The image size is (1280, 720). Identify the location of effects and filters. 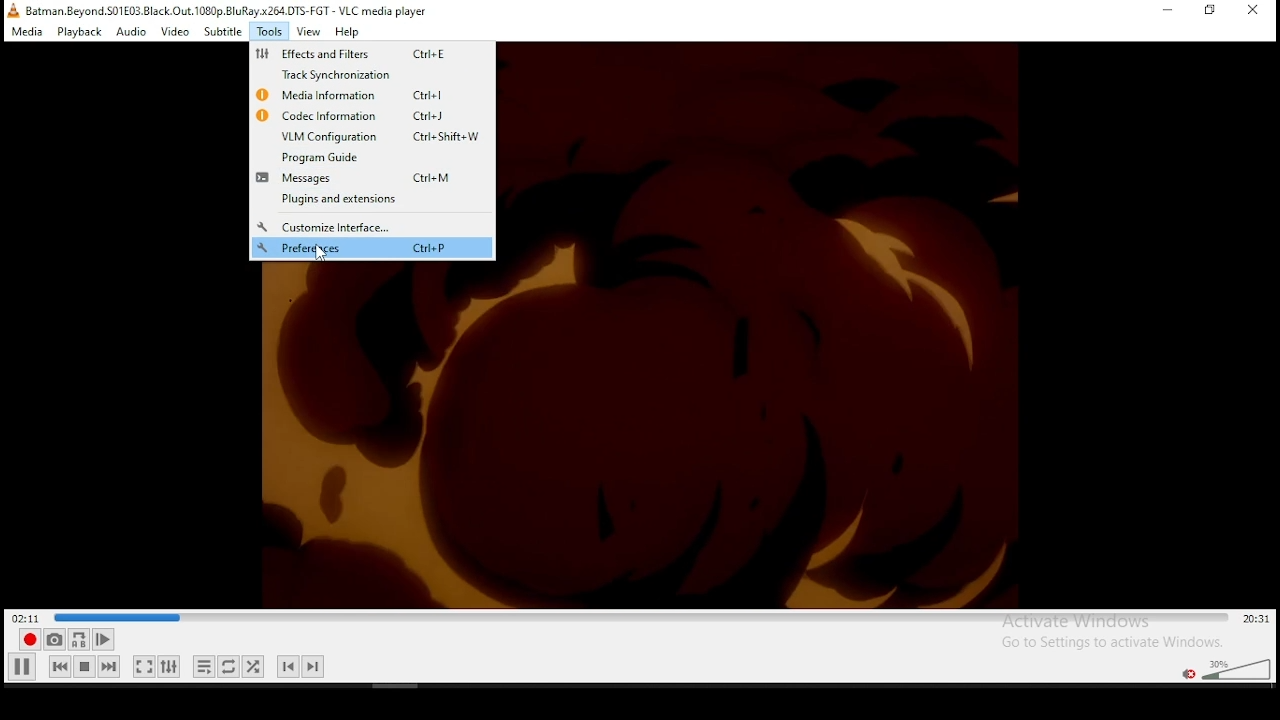
(359, 54).